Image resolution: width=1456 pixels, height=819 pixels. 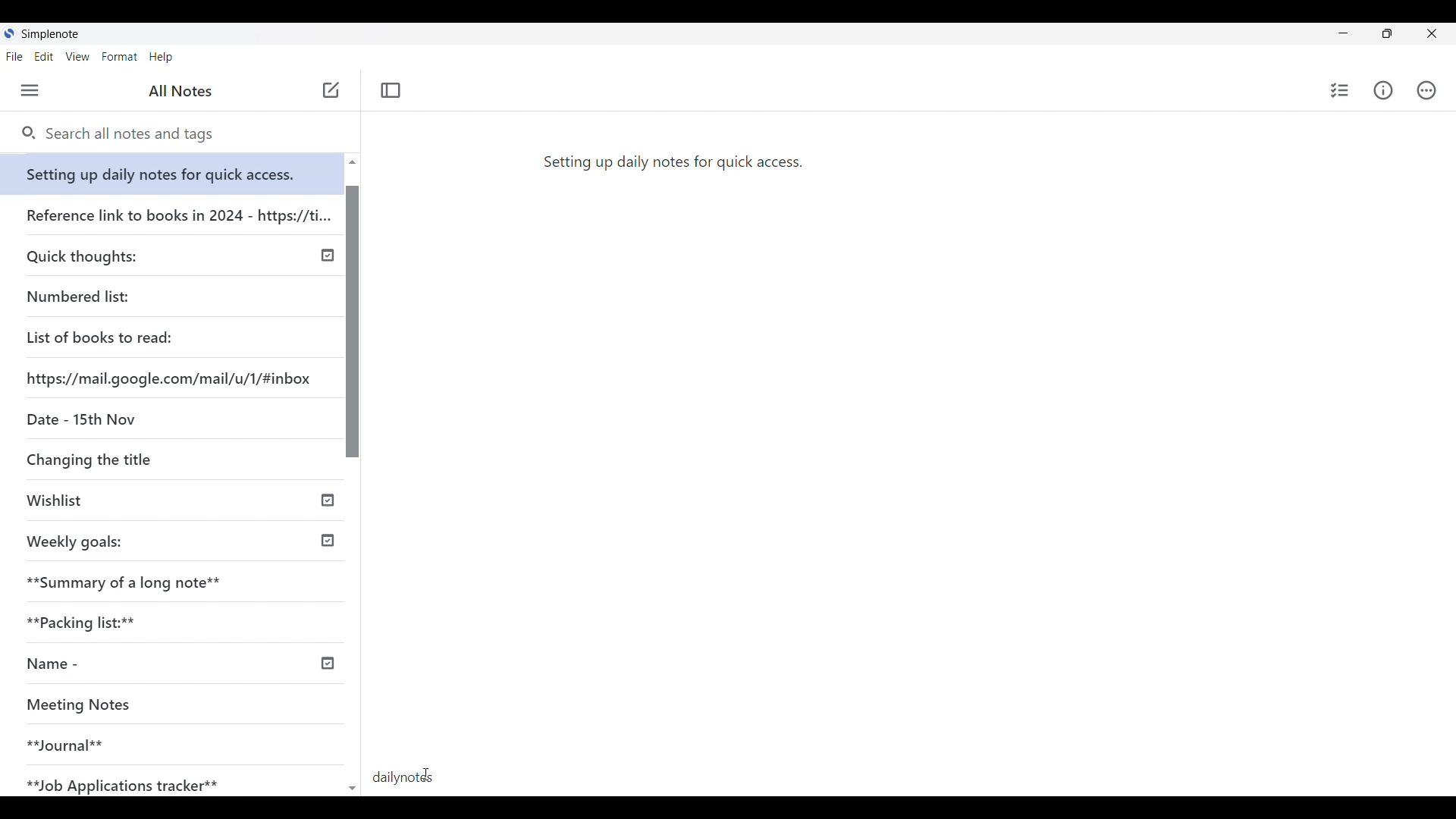 What do you see at coordinates (121, 293) in the screenshot?
I see `Numbered list` at bounding box center [121, 293].